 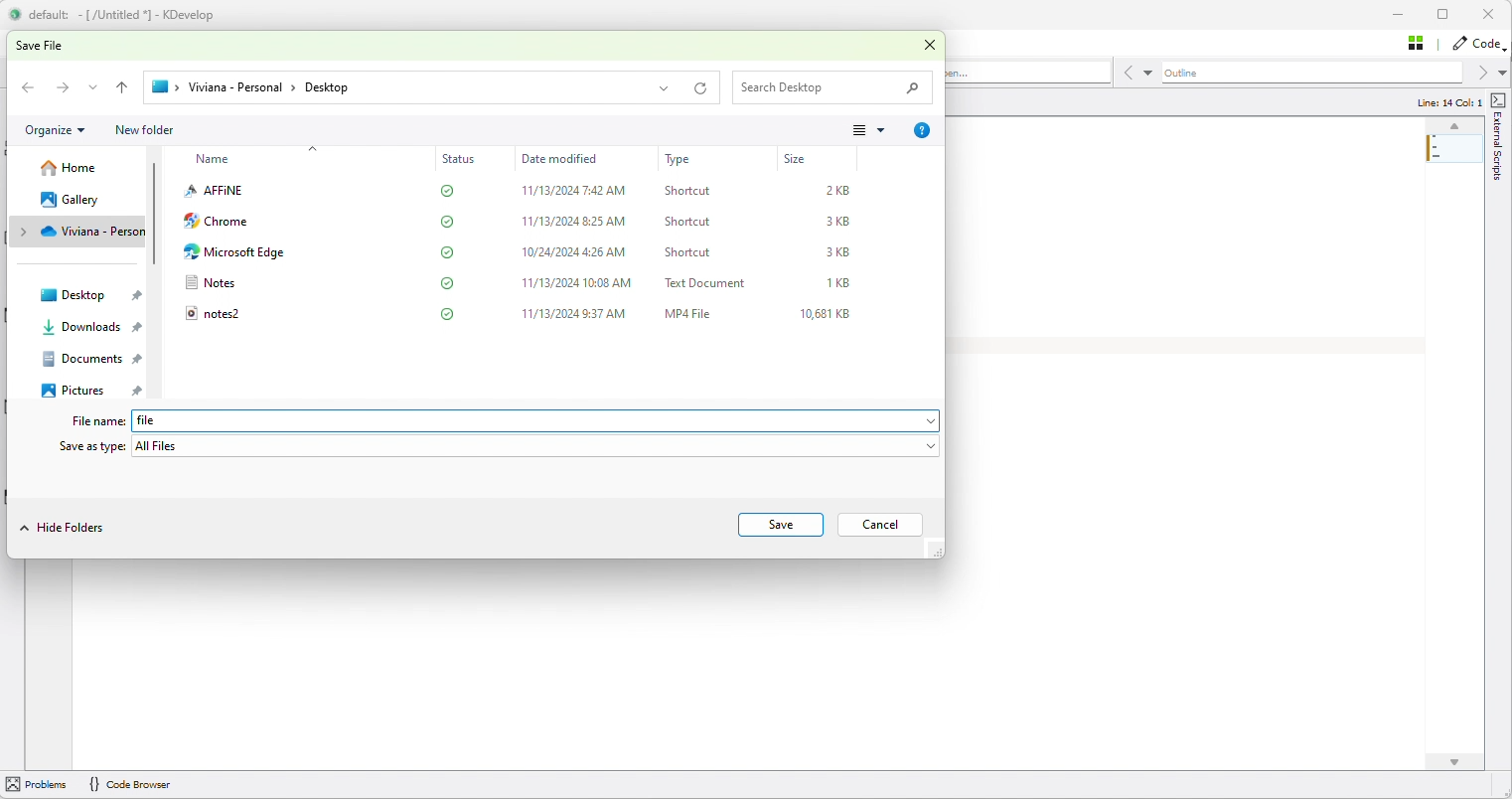 What do you see at coordinates (36, 783) in the screenshot?
I see `problem` at bounding box center [36, 783].